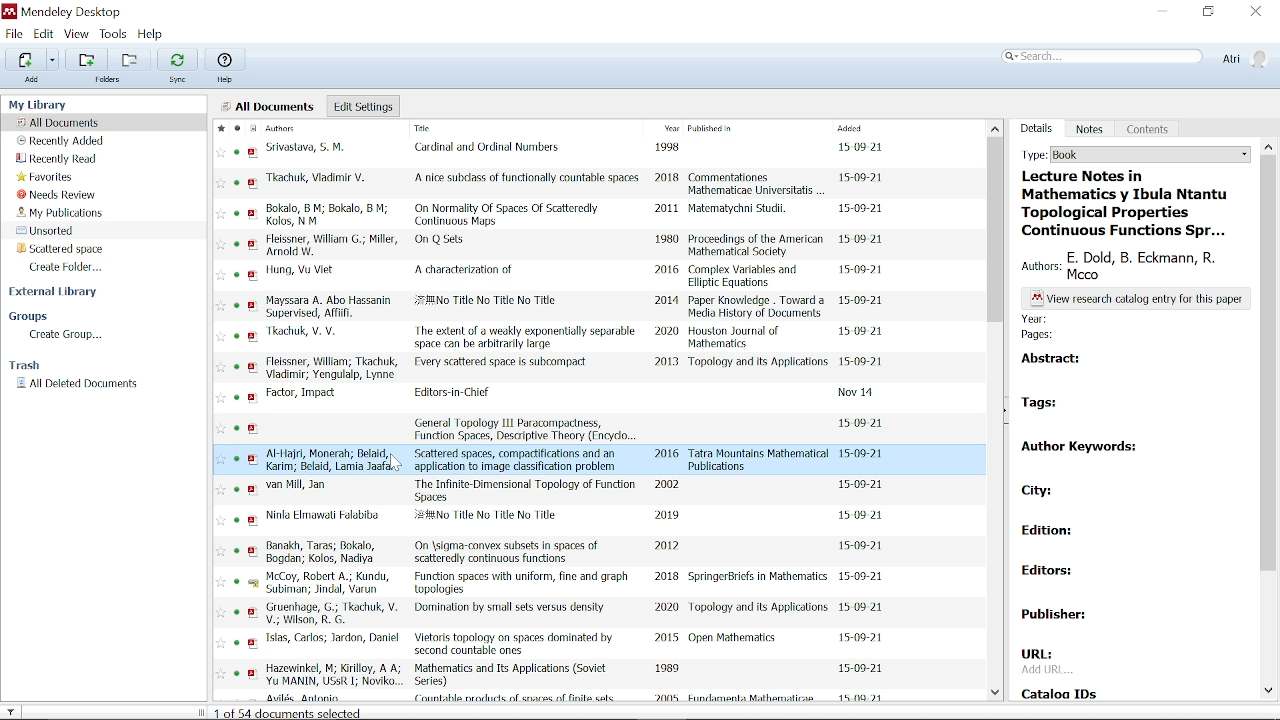 Image resolution: width=1280 pixels, height=720 pixels. I want to click on title, so click(524, 336).